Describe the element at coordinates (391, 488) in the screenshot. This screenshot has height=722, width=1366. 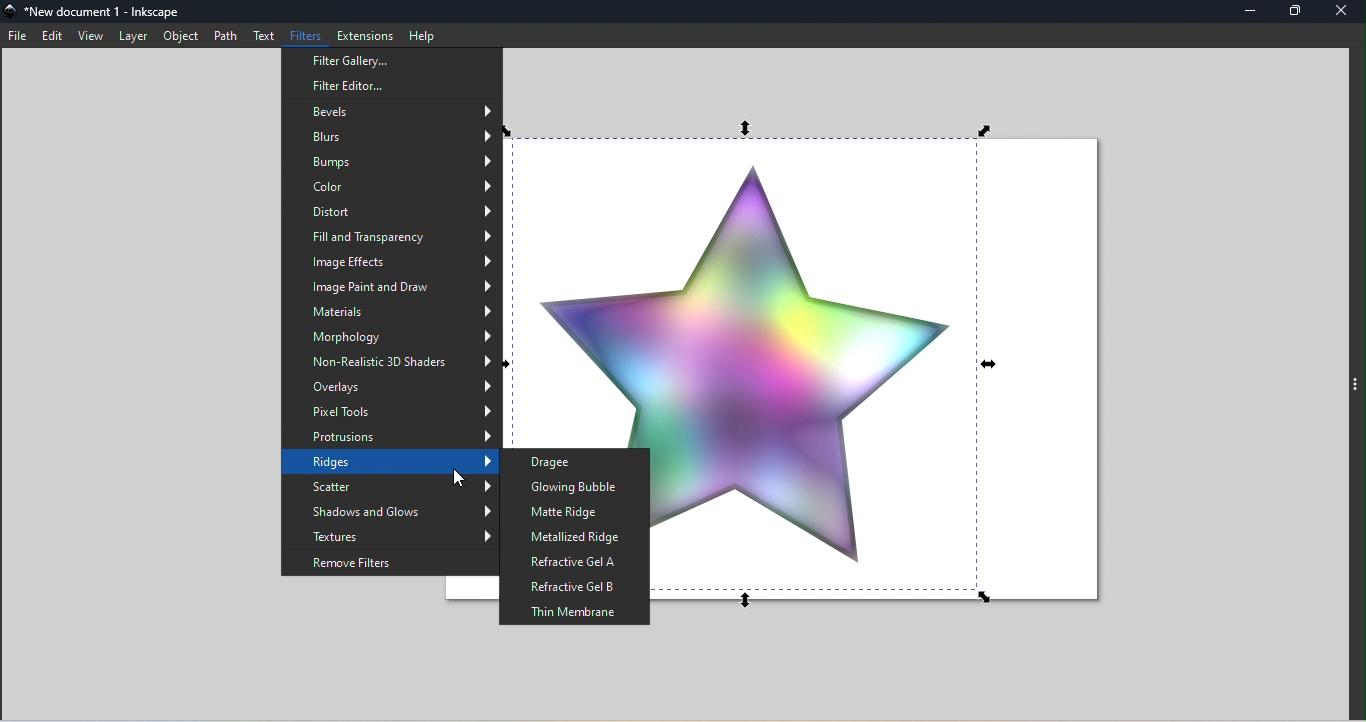
I see `Scatter` at that location.